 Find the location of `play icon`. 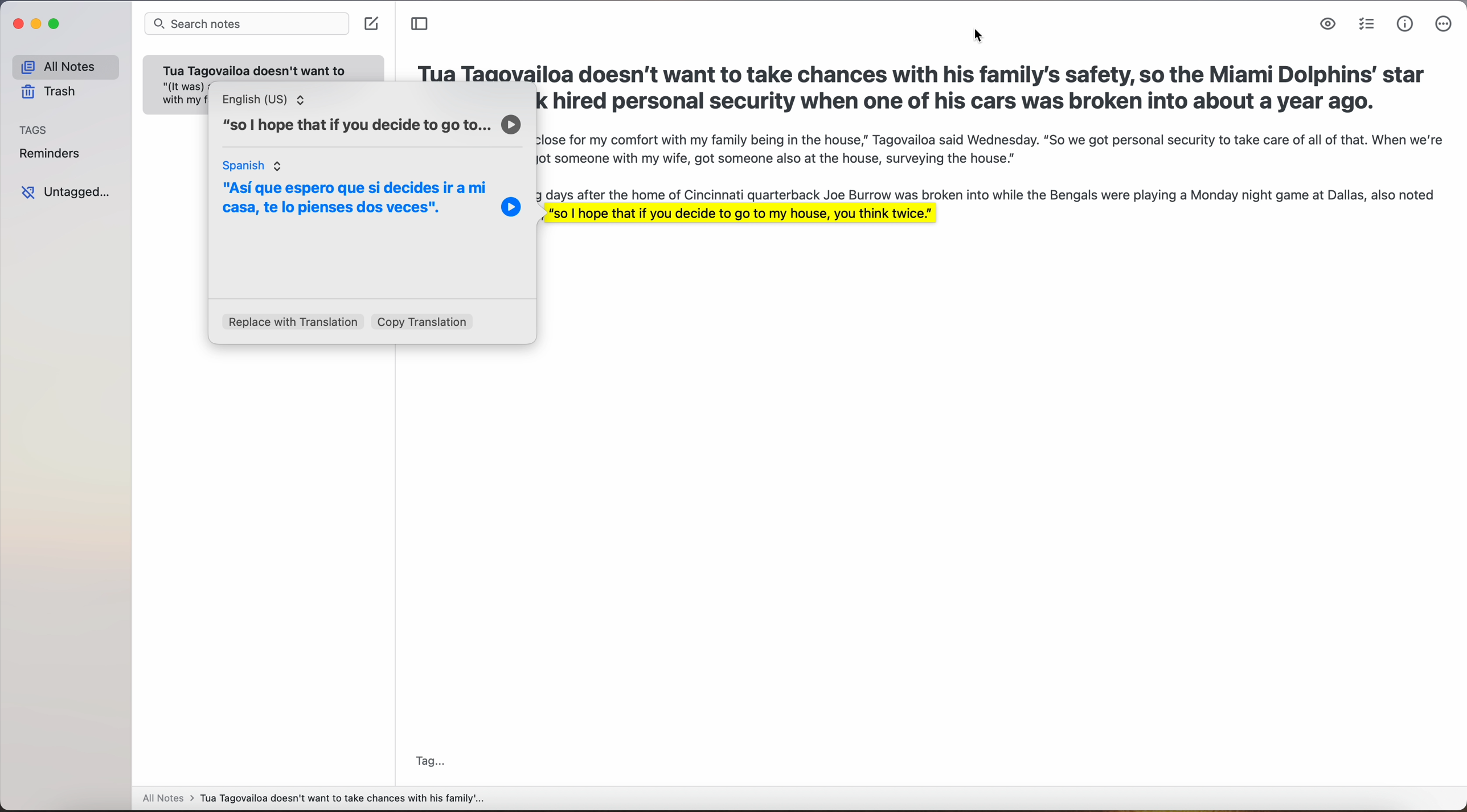

play icon is located at coordinates (513, 206).